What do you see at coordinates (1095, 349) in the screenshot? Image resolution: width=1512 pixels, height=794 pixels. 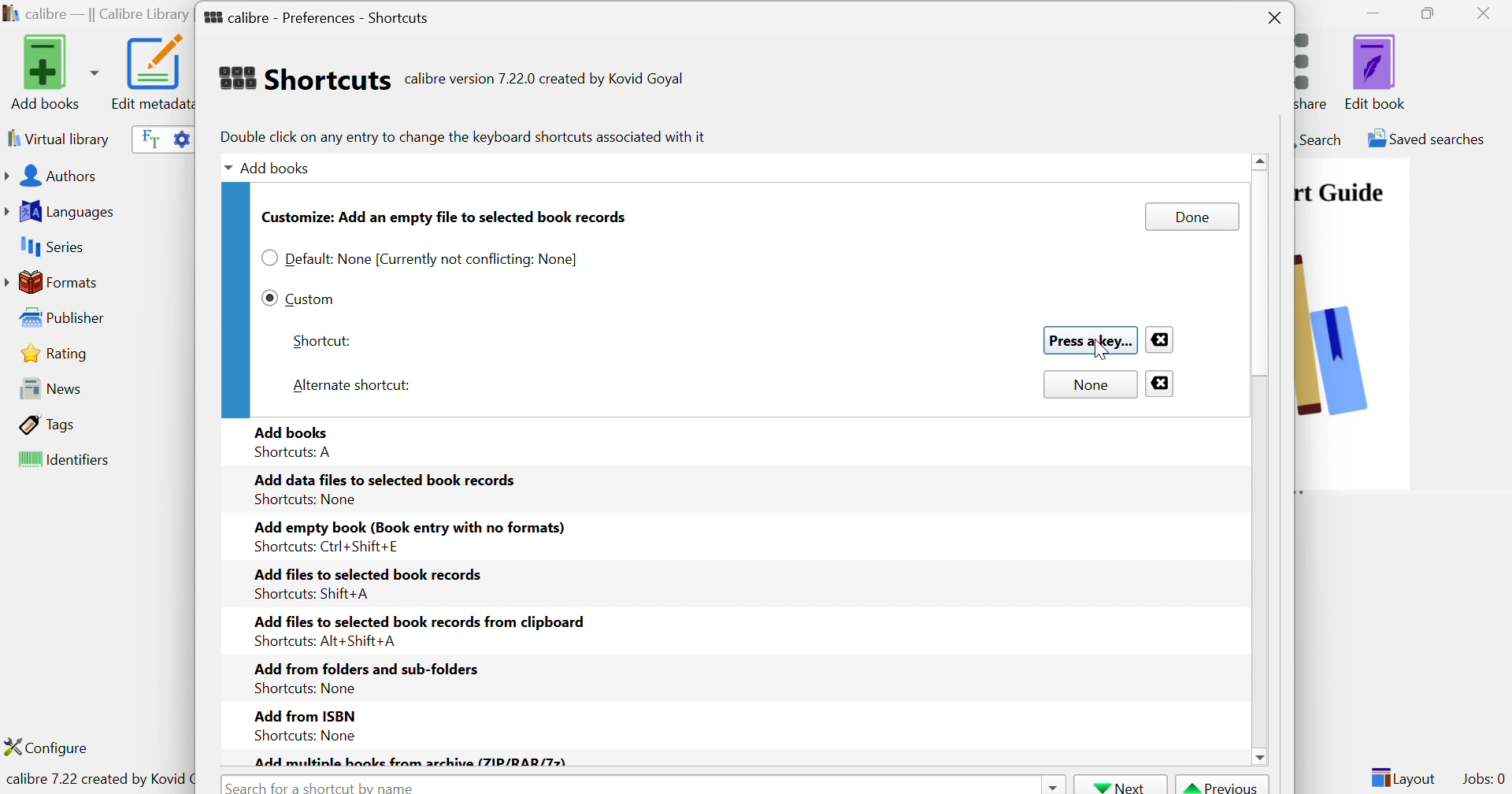 I see `Cursor` at bounding box center [1095, 349].